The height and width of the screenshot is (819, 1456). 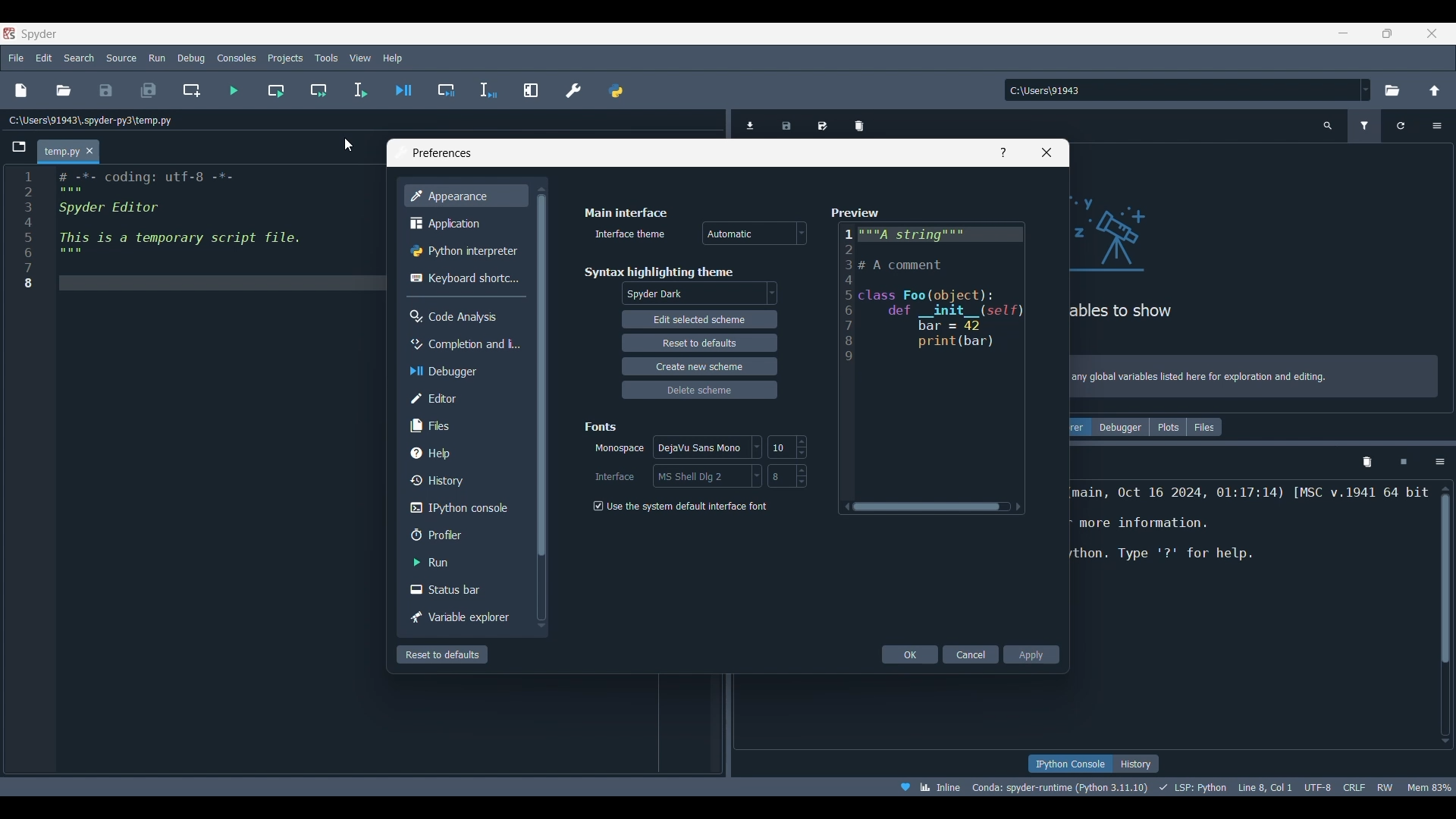 I want to click on IPython console, so click(x=1068, y=764).